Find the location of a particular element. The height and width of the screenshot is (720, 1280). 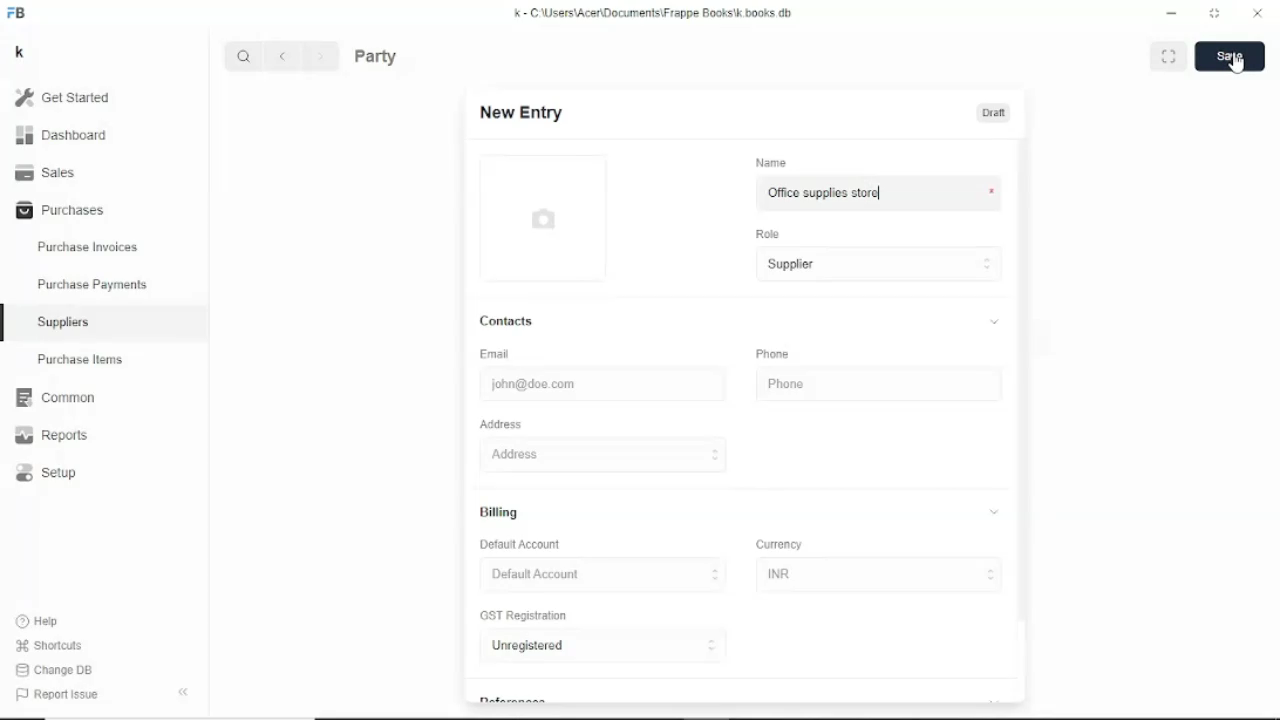

Draft is located at coordinates (995, 114).